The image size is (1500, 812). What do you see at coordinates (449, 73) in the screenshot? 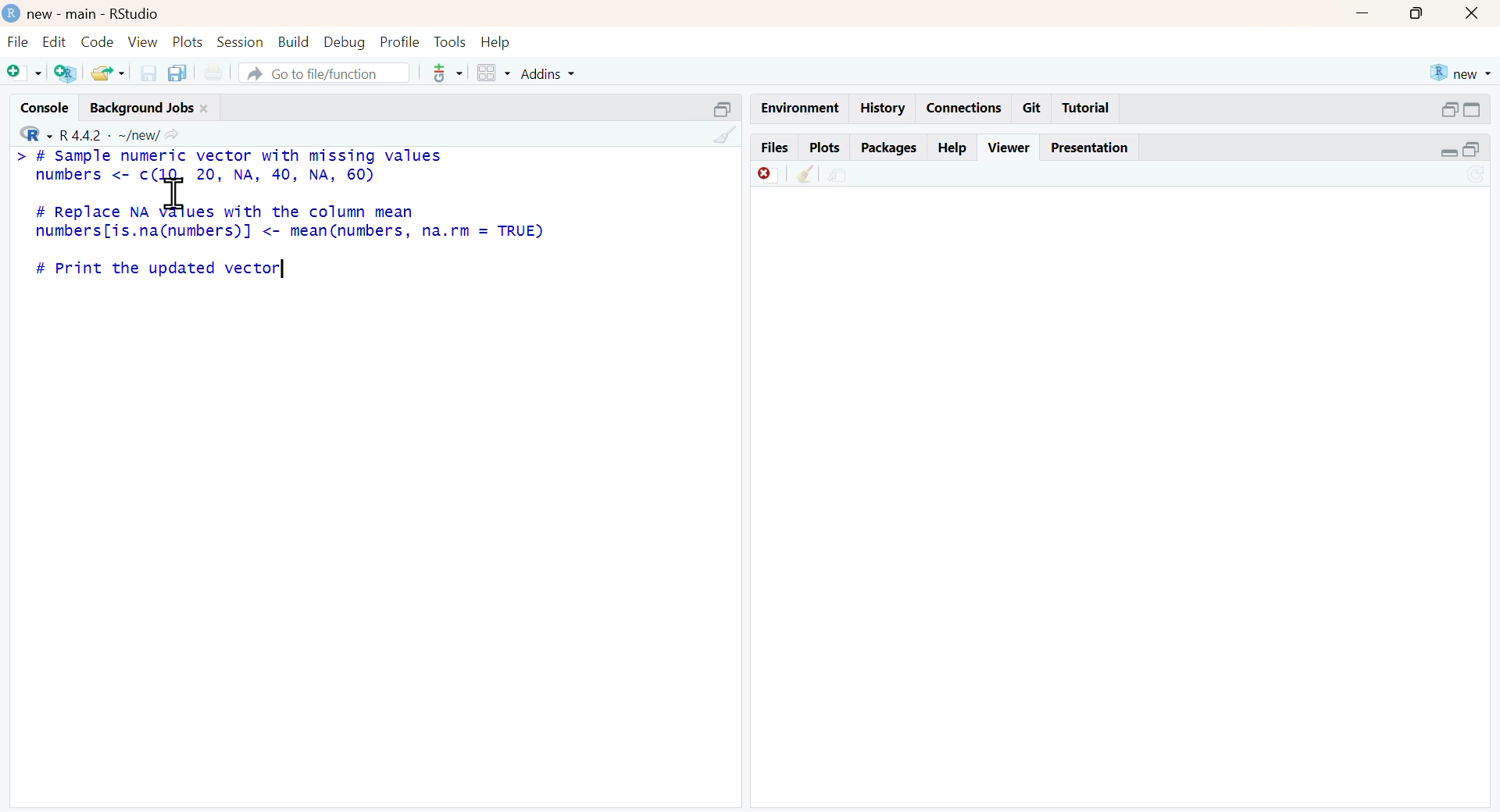
I see `tools` at bounding box center [449, 73].